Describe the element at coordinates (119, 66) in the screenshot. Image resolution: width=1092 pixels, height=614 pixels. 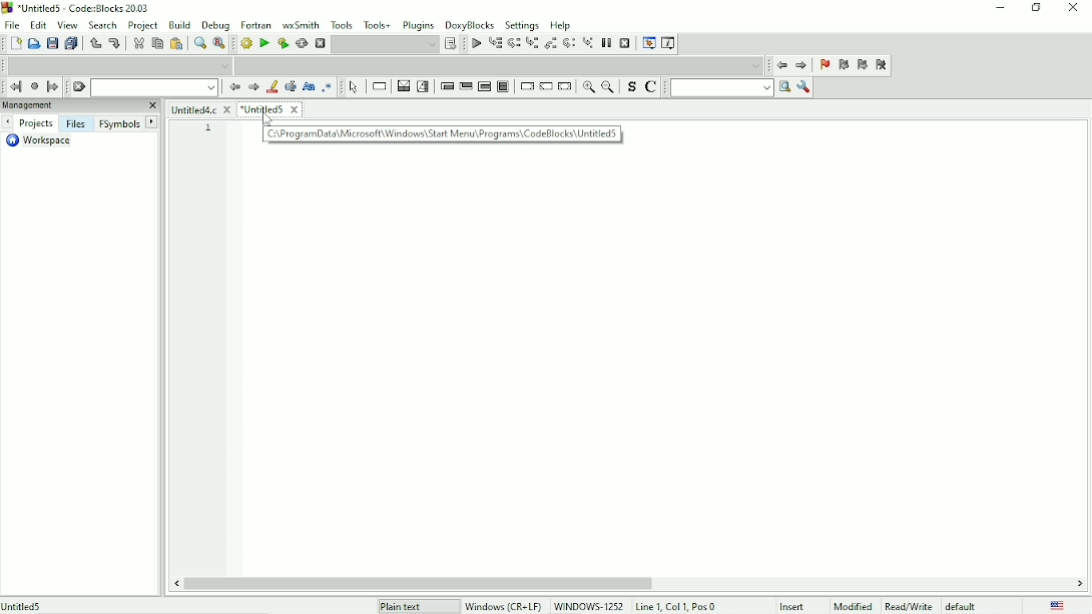
I see `Drop down` at that location.